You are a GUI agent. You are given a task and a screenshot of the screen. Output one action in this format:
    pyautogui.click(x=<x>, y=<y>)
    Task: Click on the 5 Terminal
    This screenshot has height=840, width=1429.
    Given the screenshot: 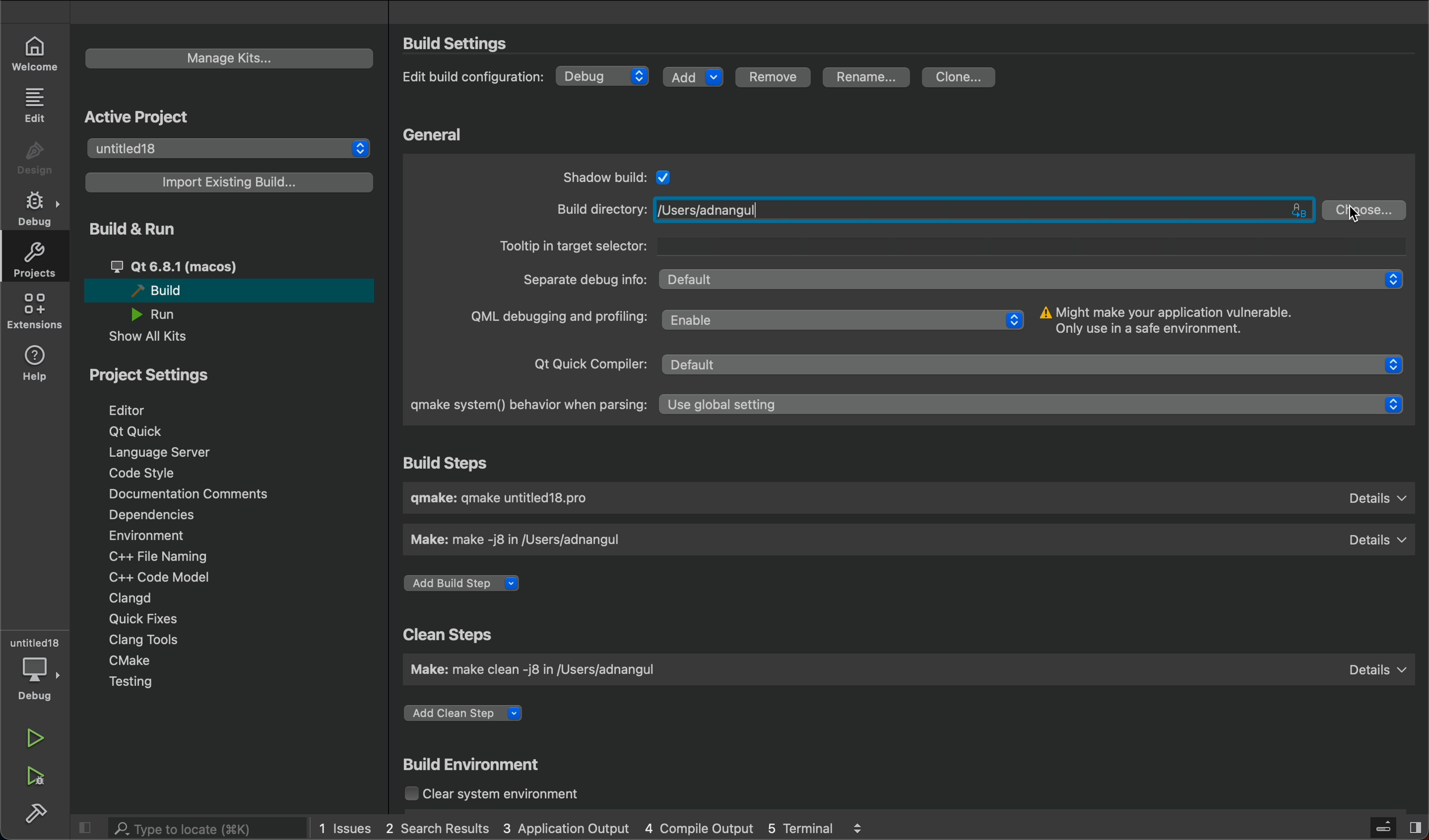 What is the action you would take?
    pyautogui.click(x=797, y=826)
    